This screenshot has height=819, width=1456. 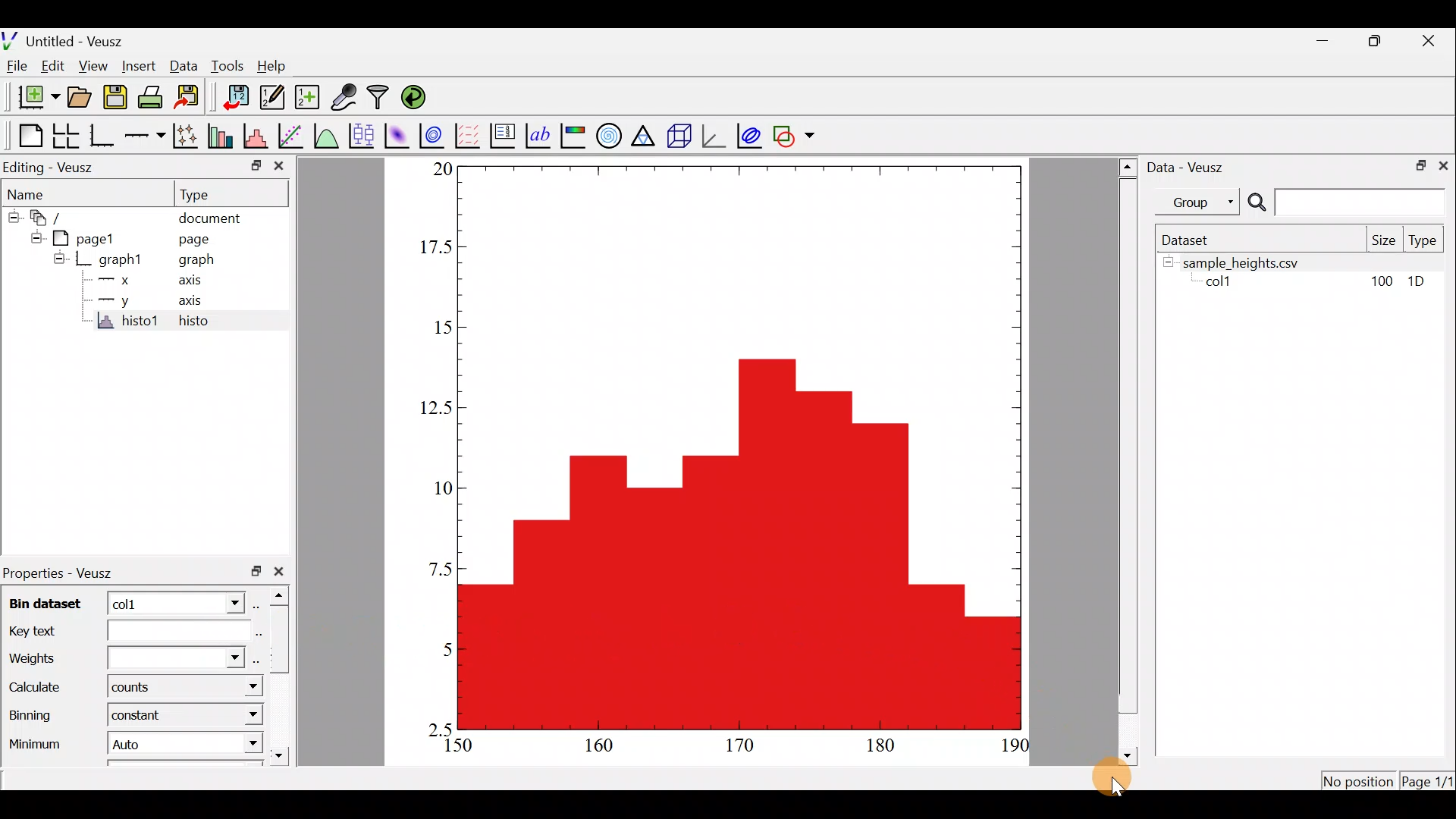 What do you see at coordinates (118, 260) in the screenshot?
I see `graph1` at bounding box center [118, 260].